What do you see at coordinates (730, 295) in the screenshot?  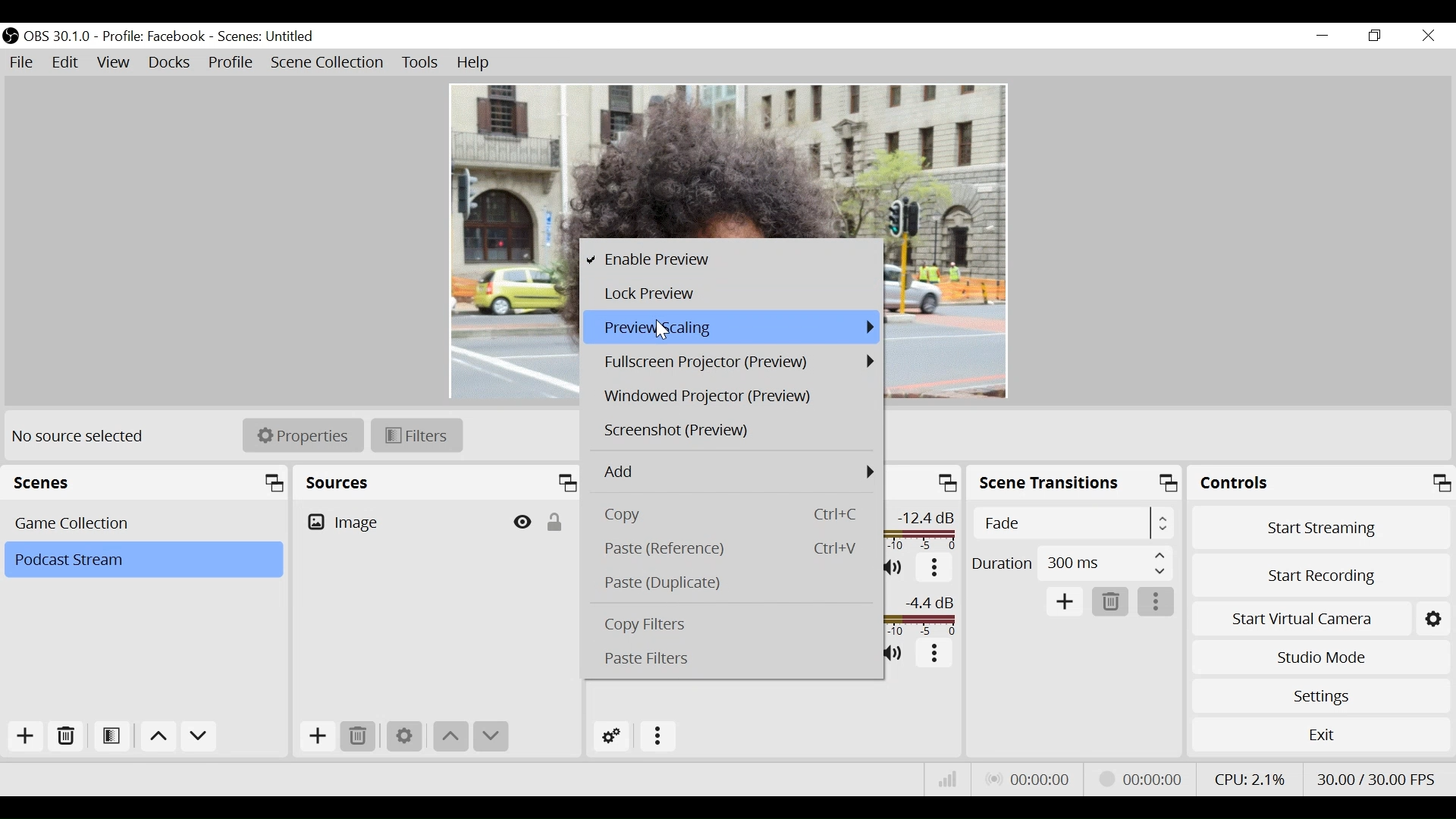 I see `Lock Preview` at bounding box center [730, 295].